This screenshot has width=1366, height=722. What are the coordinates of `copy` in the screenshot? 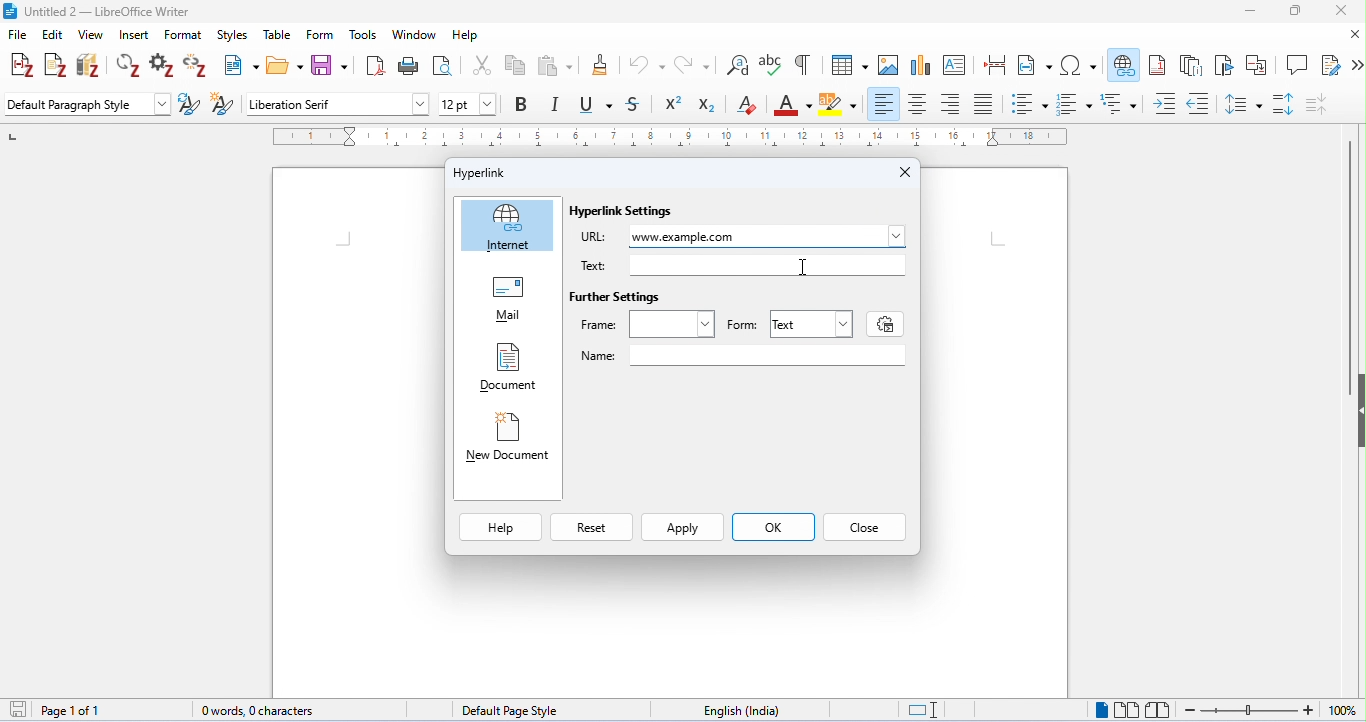 It's located at (516, 65).